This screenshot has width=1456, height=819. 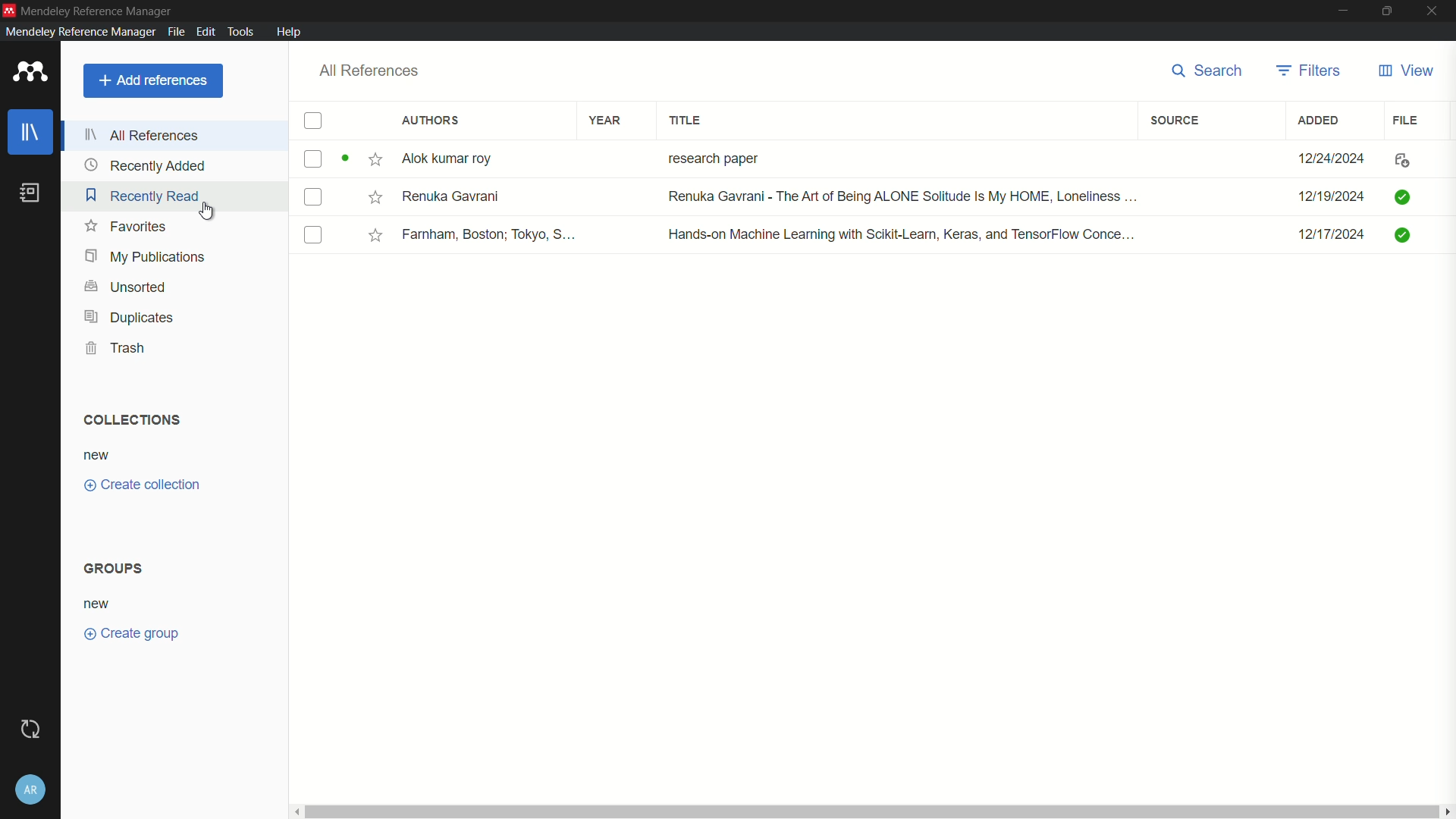 I want to click on check, so click(x=1404, y=233).